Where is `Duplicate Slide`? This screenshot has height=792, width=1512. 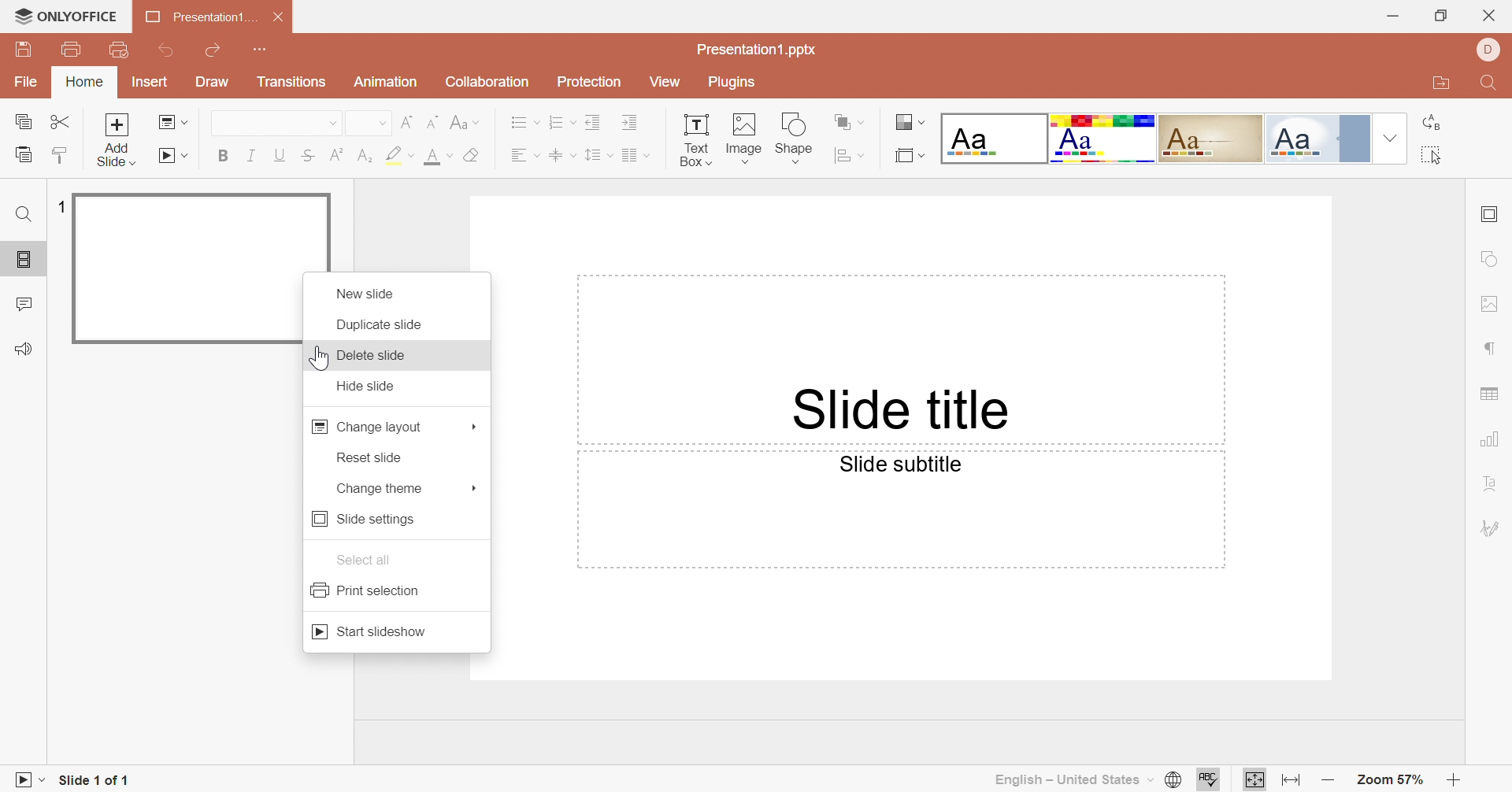 Duplicate Slide is located at coordinates (383, 324).